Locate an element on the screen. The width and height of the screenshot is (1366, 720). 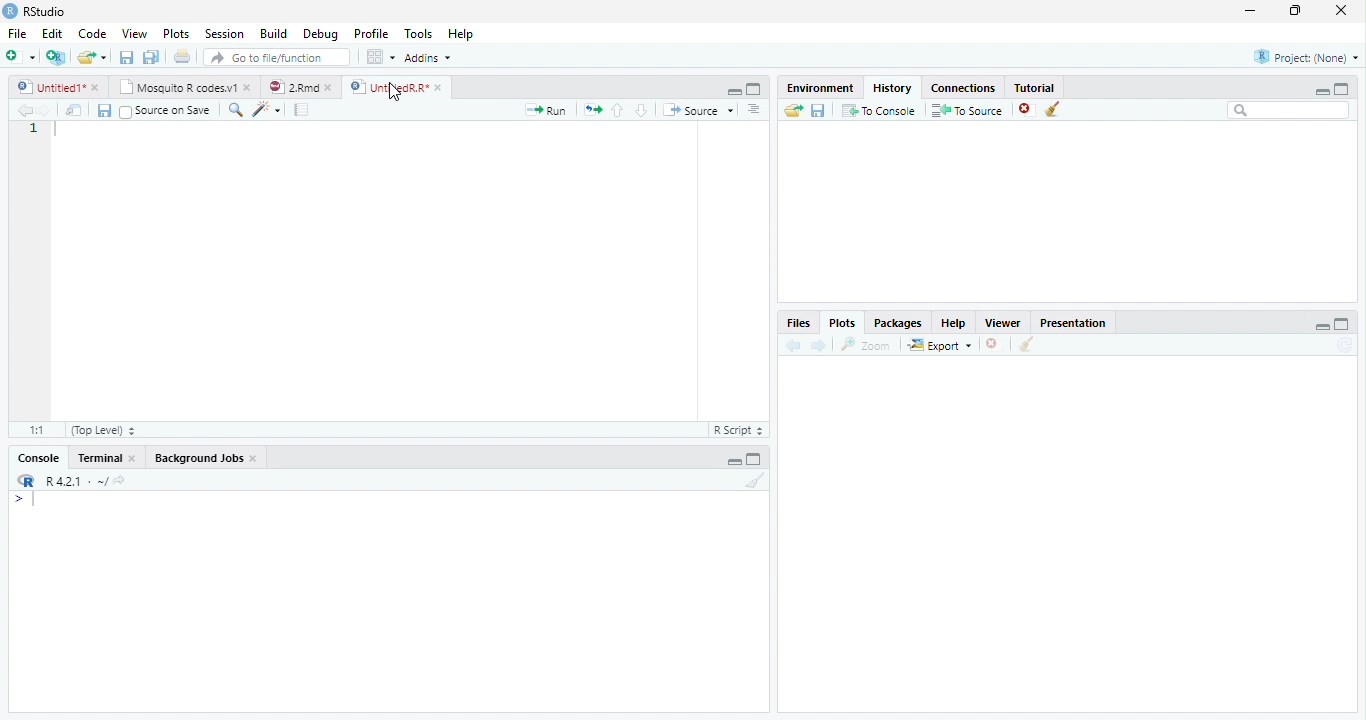
Remove current plot is located at coordinates (996, 344).